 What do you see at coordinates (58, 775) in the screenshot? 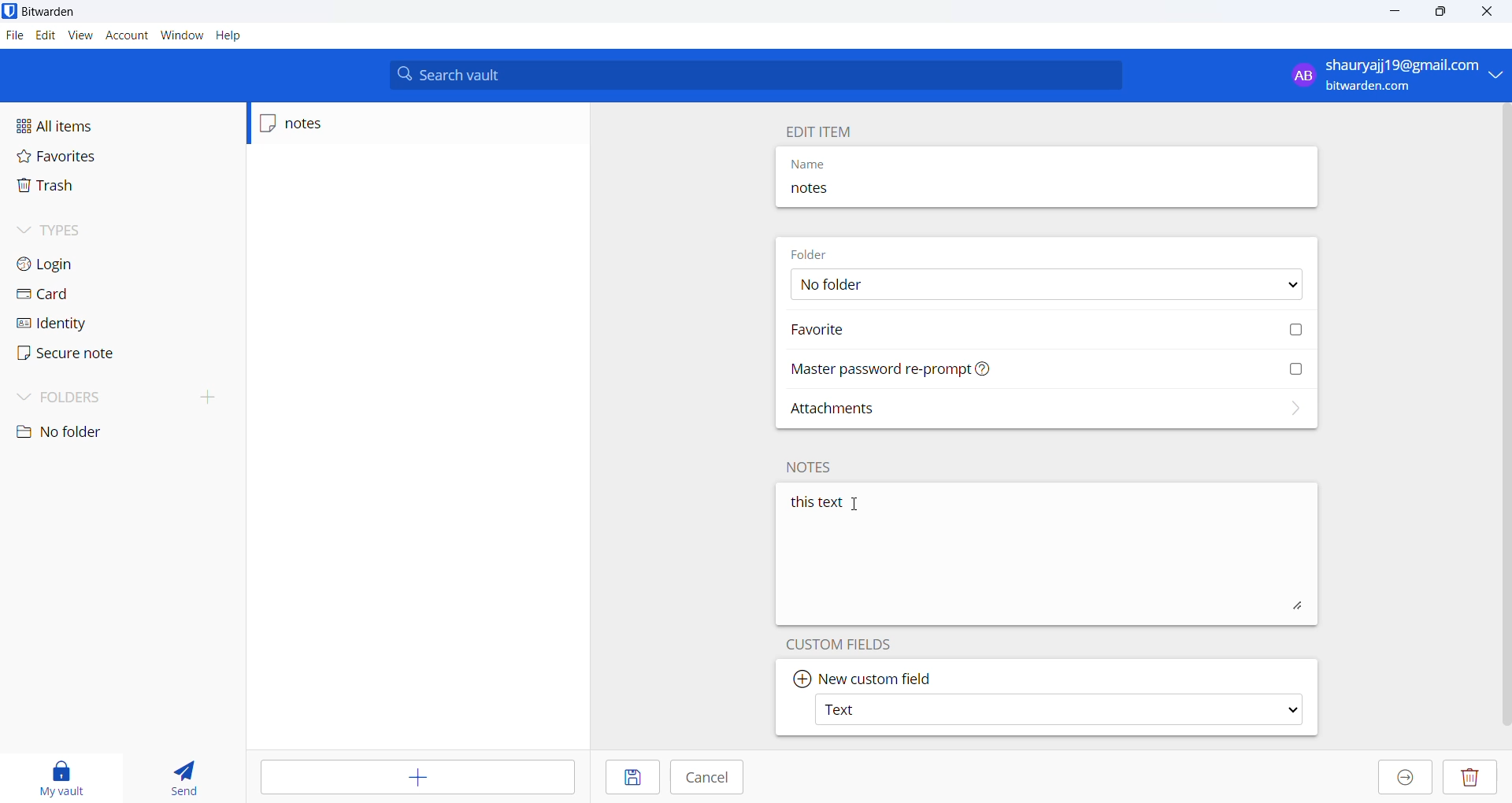
I see `My vault ` at bounding box center [58, 775].